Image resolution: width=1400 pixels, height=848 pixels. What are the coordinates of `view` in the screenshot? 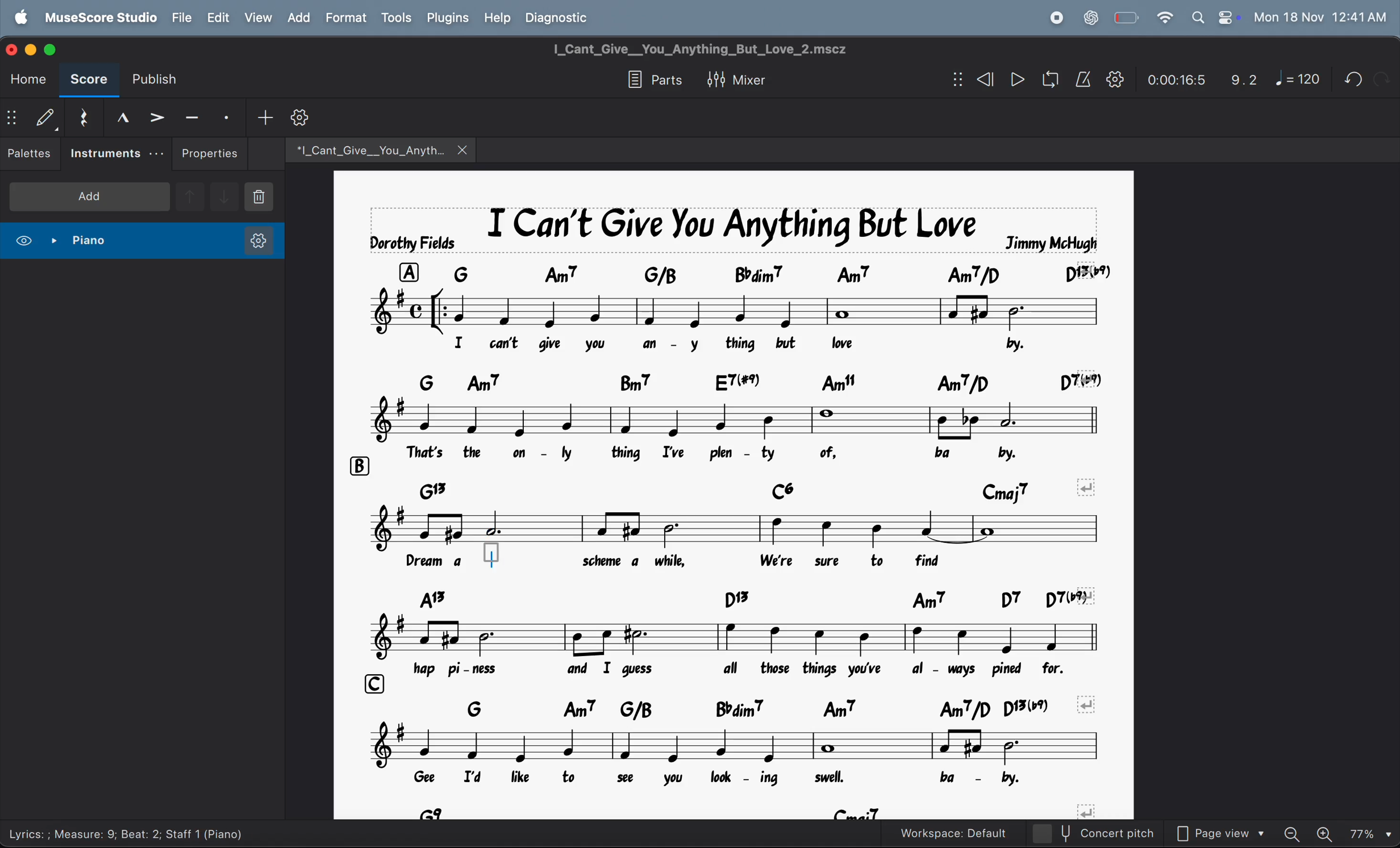 It's located at (23, 239).